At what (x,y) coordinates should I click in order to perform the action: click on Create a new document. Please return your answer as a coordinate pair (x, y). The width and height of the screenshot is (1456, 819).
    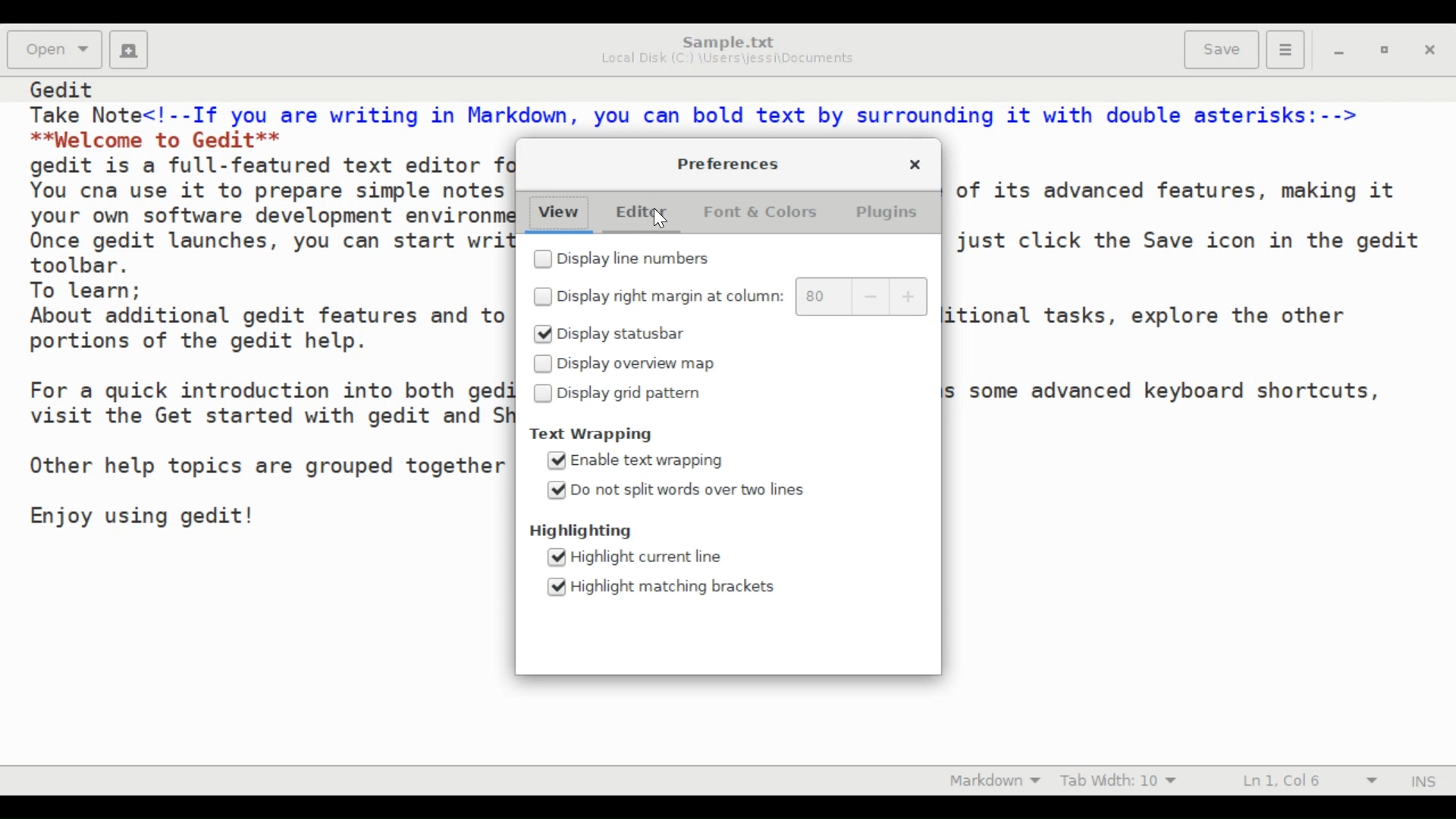
    Looking at the image, I should click on (130, 50).